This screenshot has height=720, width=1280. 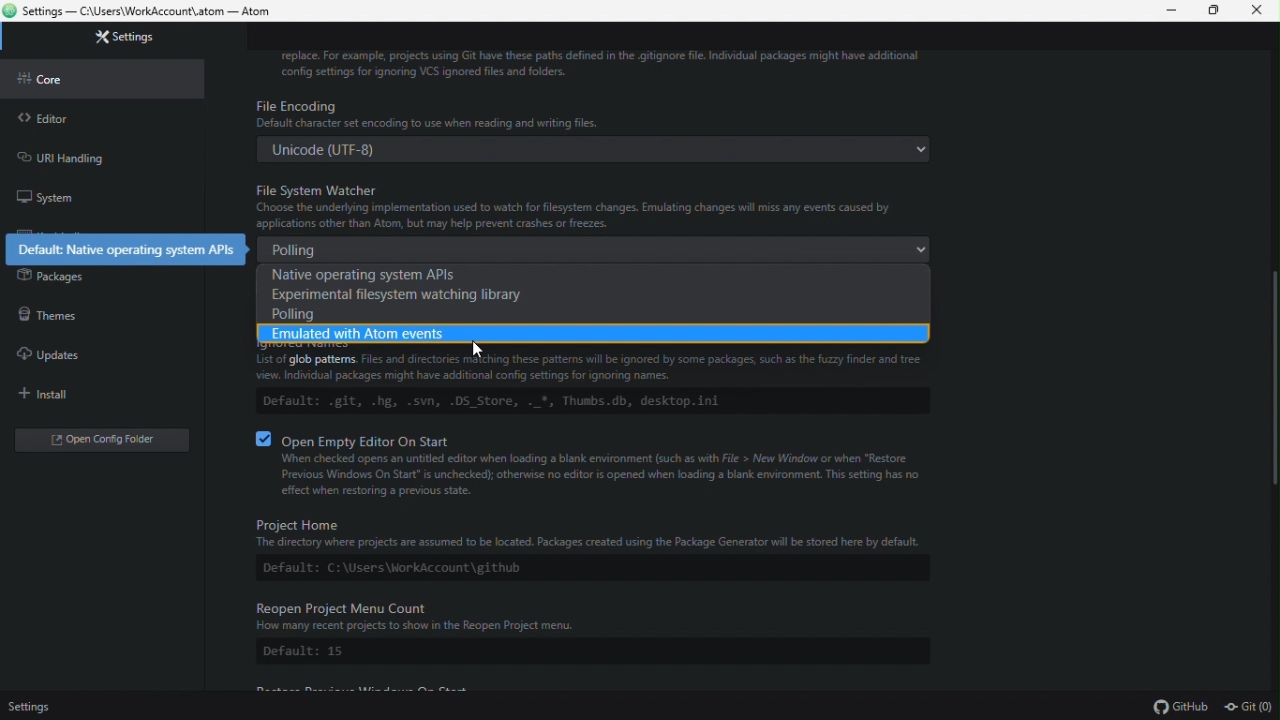 I want to click on Native operating system API, so click(x=588, y=278).